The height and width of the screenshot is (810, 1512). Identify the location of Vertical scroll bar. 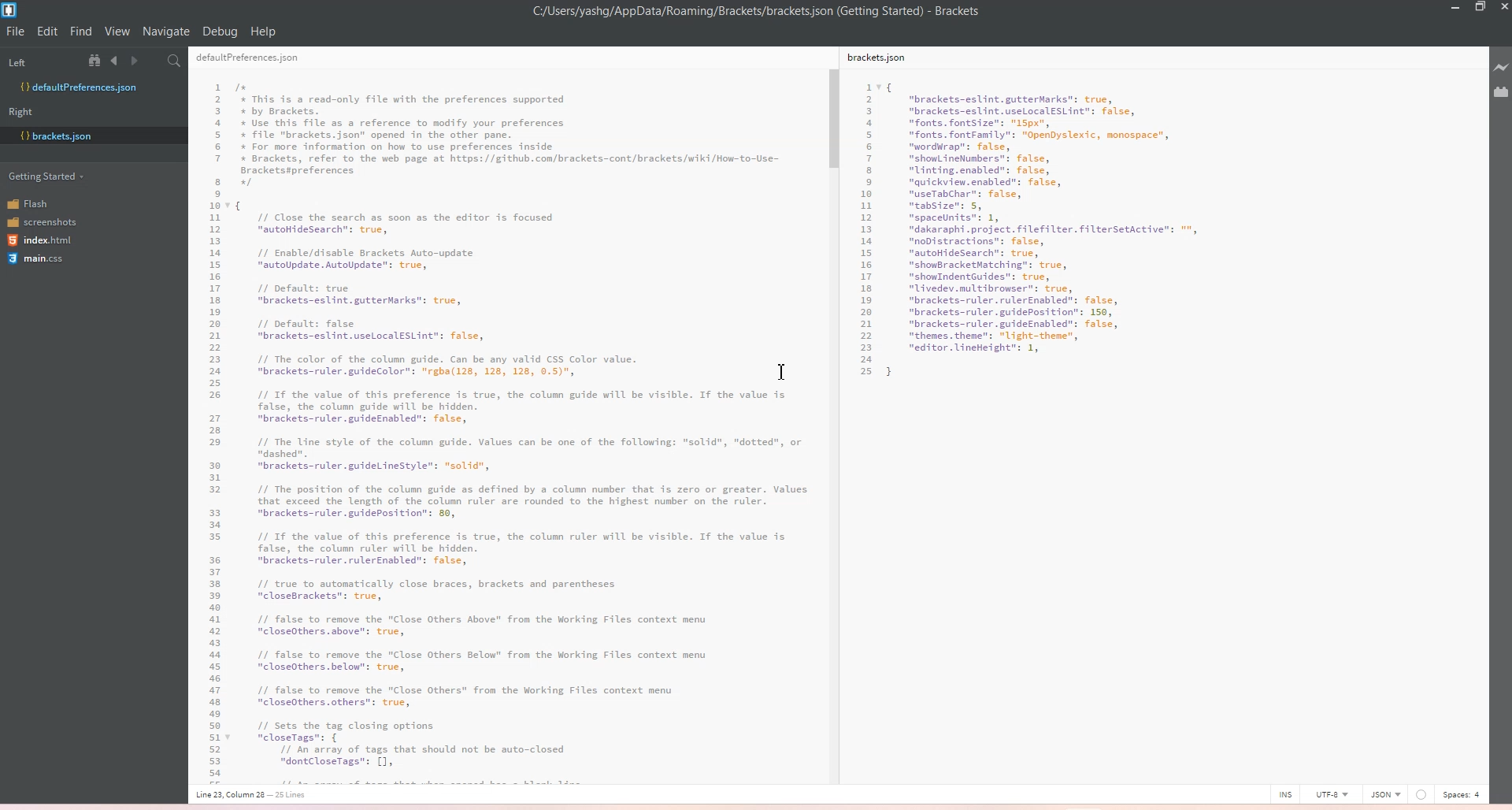
(832, 403).